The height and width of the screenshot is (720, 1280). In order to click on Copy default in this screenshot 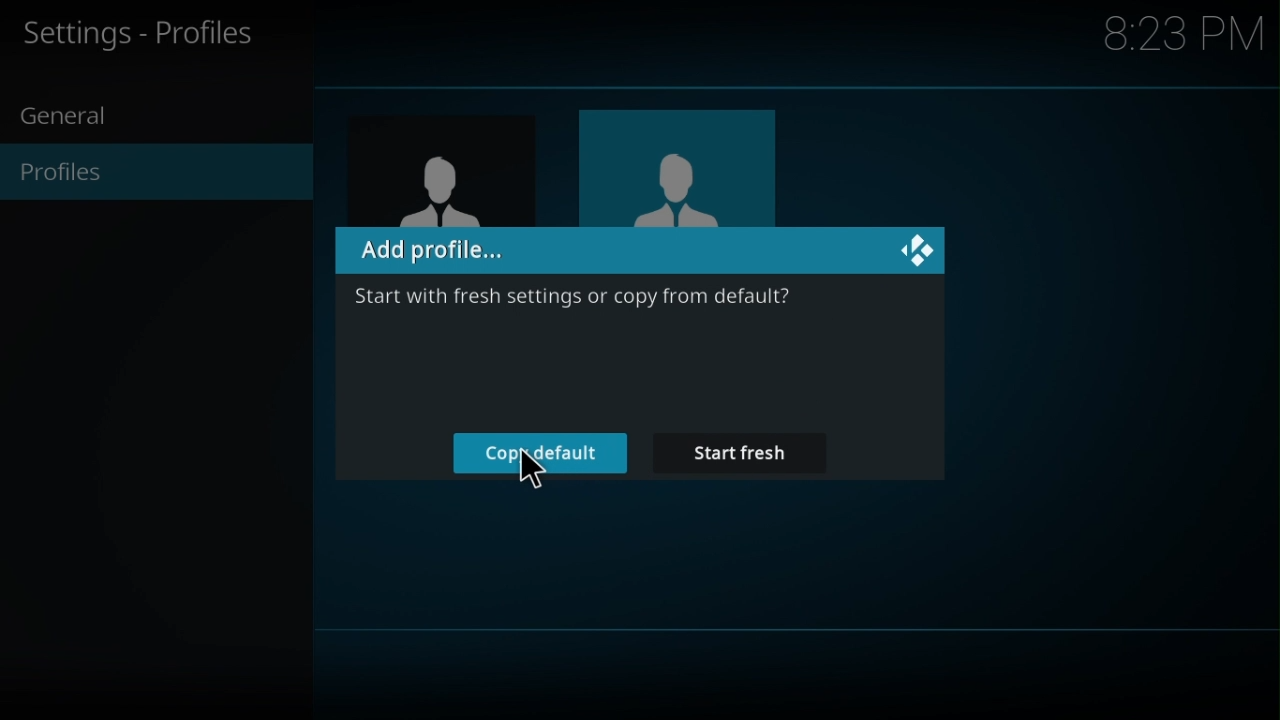, I will do `click(539, 453)`.